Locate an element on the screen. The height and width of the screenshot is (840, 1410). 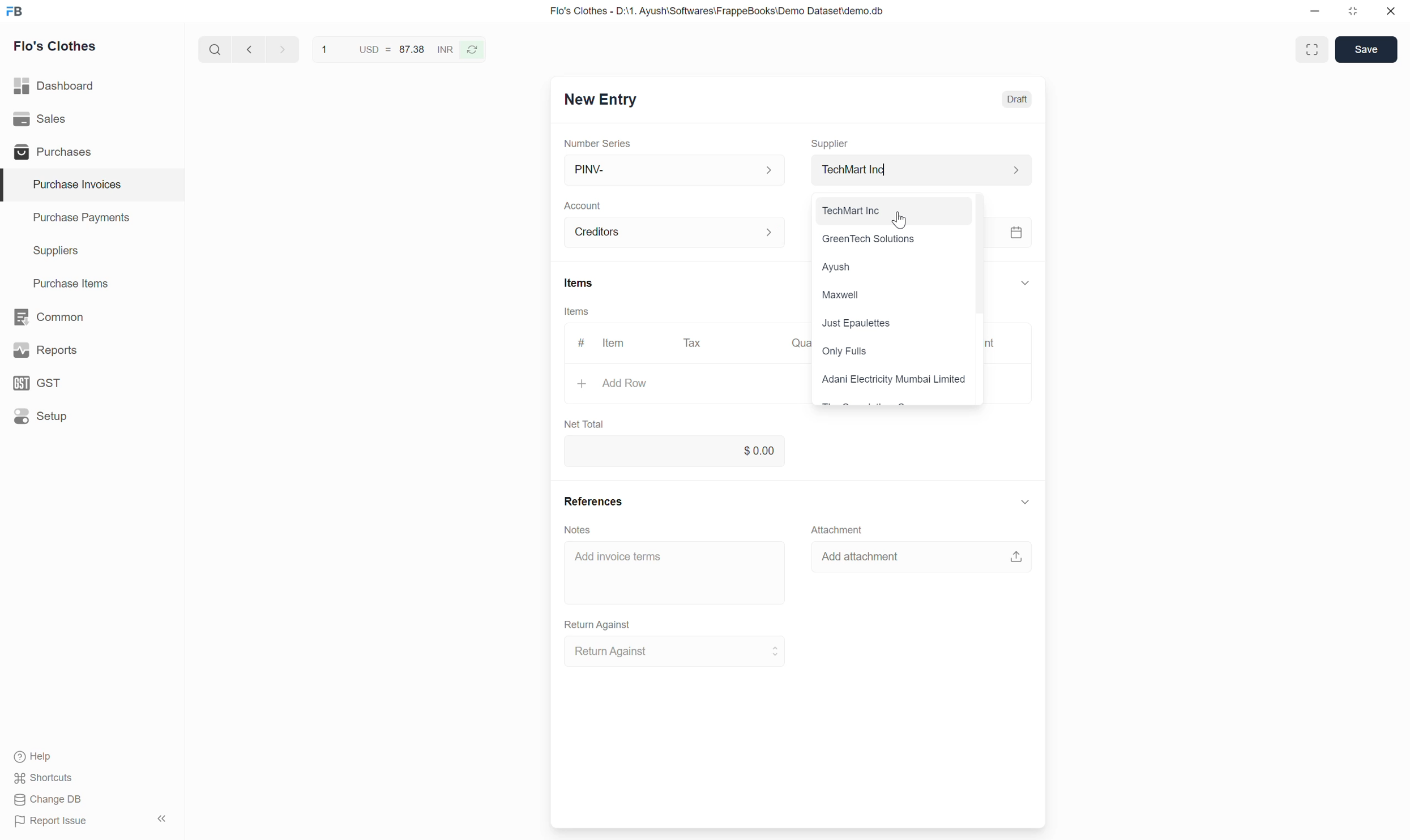
Just Epaulettes is located at coordinates (858, 323).